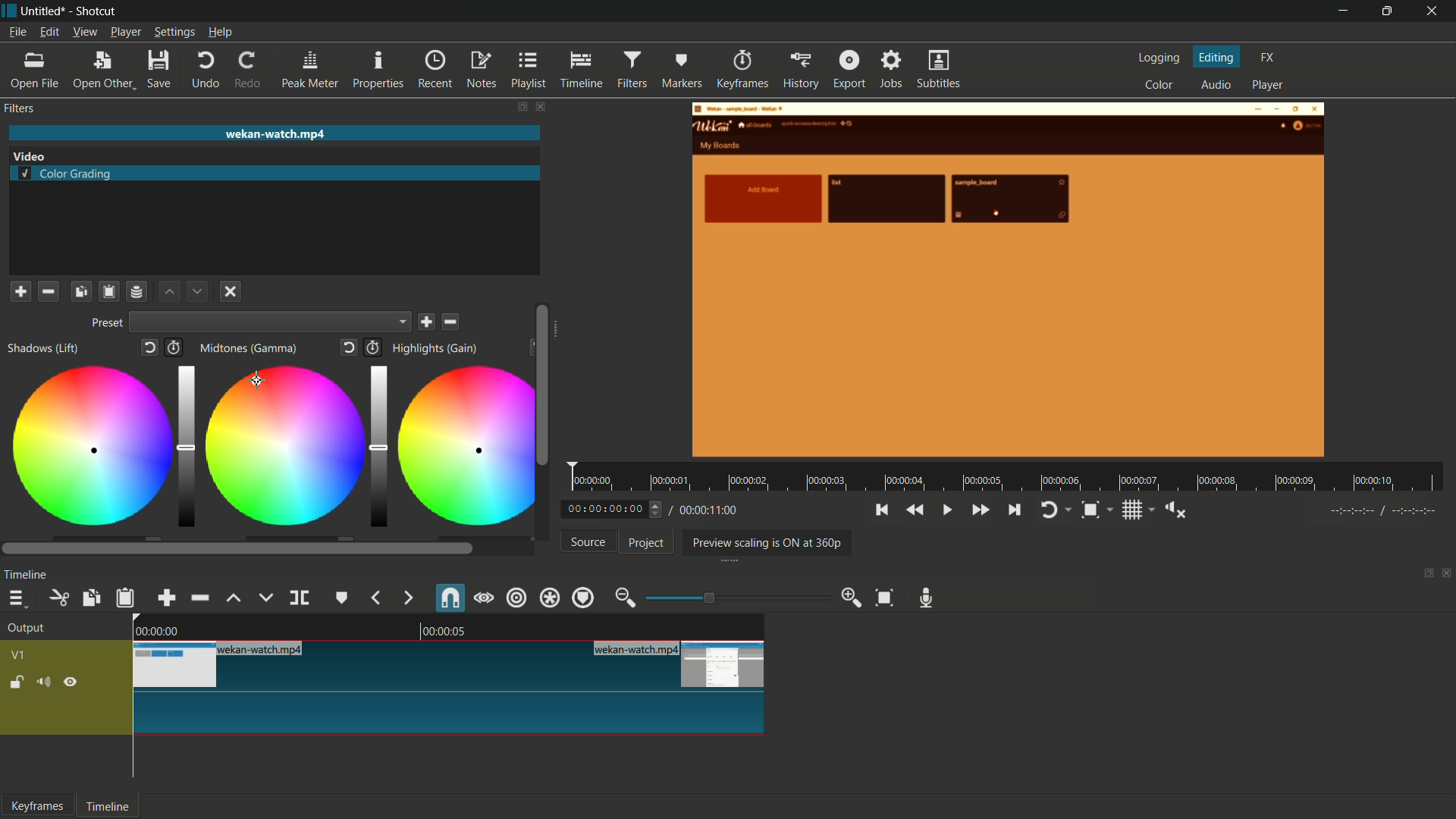  Describe the element at coordinates (44, 11) in the screenshot. I see `project name` at that location.